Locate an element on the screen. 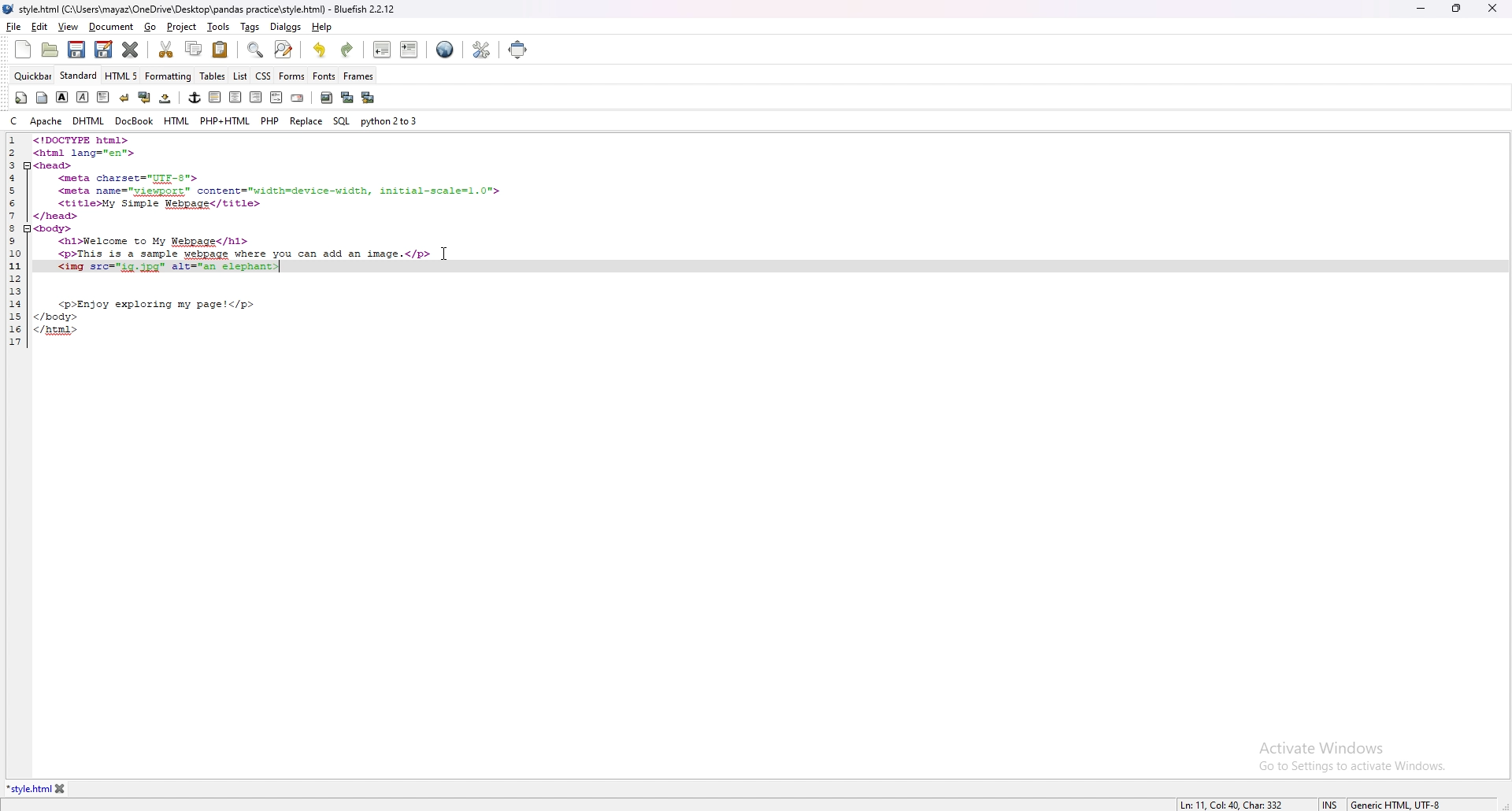  <p>This is a sample webpage where you can add an image.</p> is located at coordinates (244, 255).